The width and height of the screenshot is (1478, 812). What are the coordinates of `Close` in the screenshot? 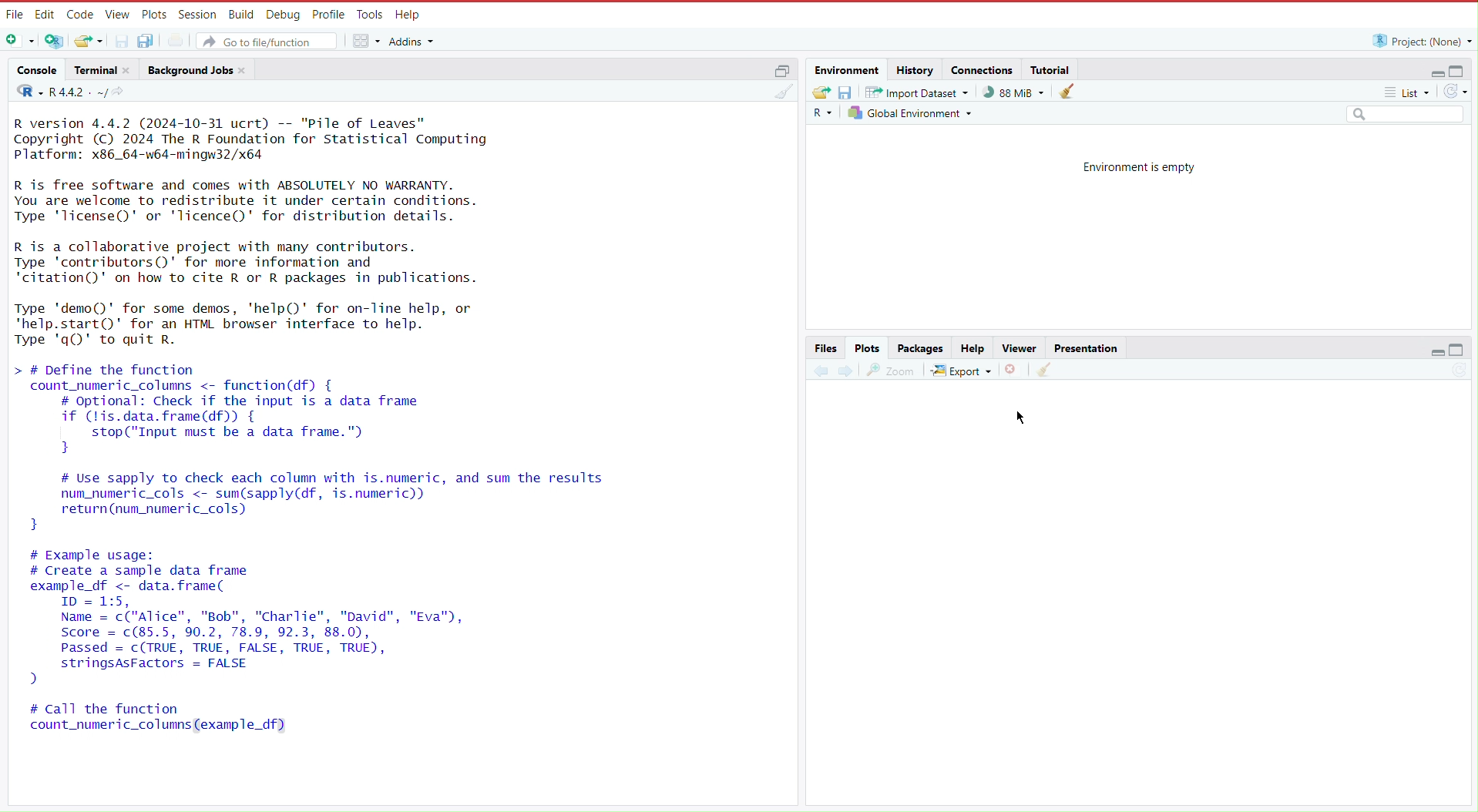 It's located at (1013, 368).